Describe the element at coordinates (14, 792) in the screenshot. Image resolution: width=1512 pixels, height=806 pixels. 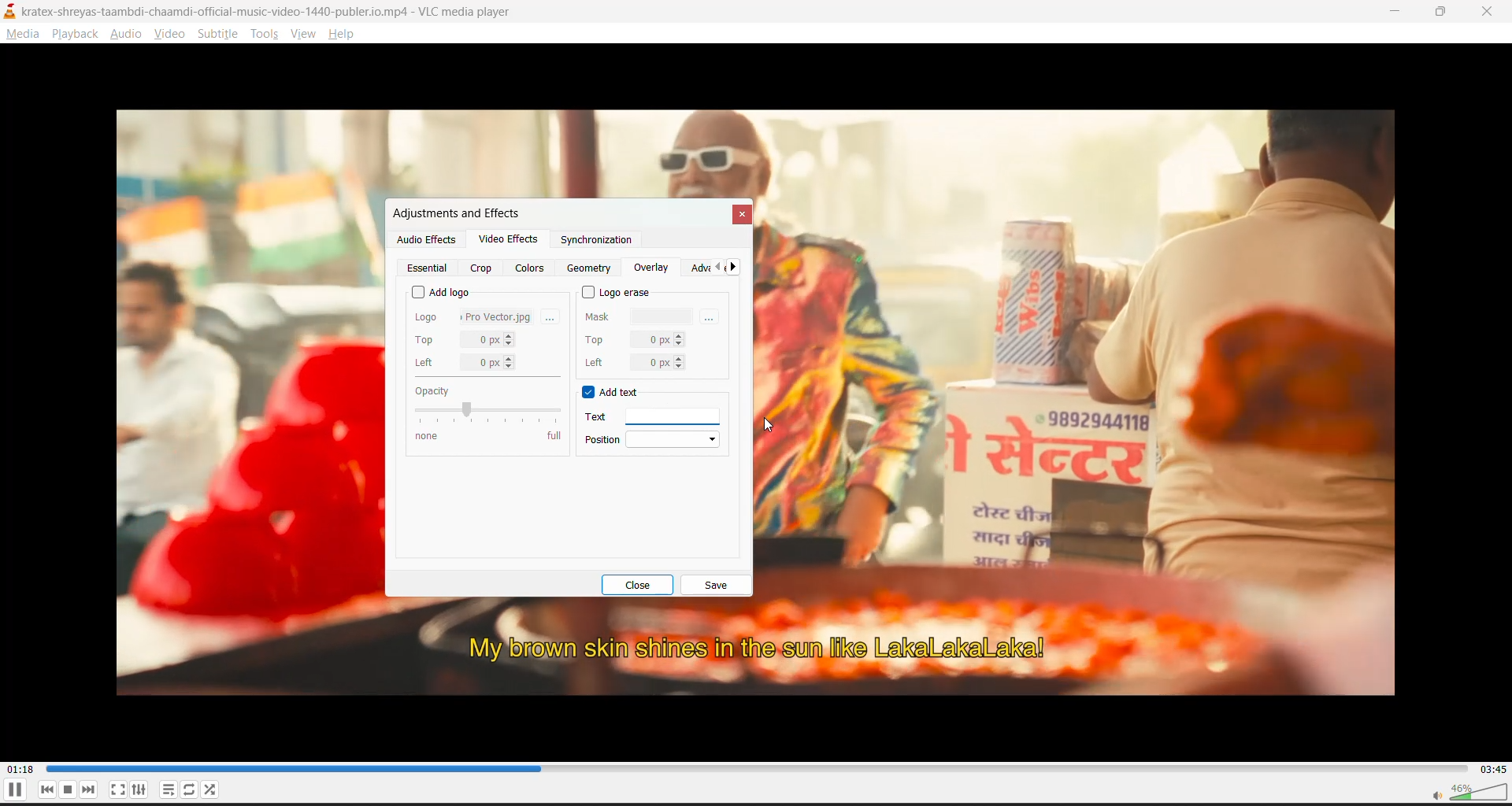
I see `pause` at that location.